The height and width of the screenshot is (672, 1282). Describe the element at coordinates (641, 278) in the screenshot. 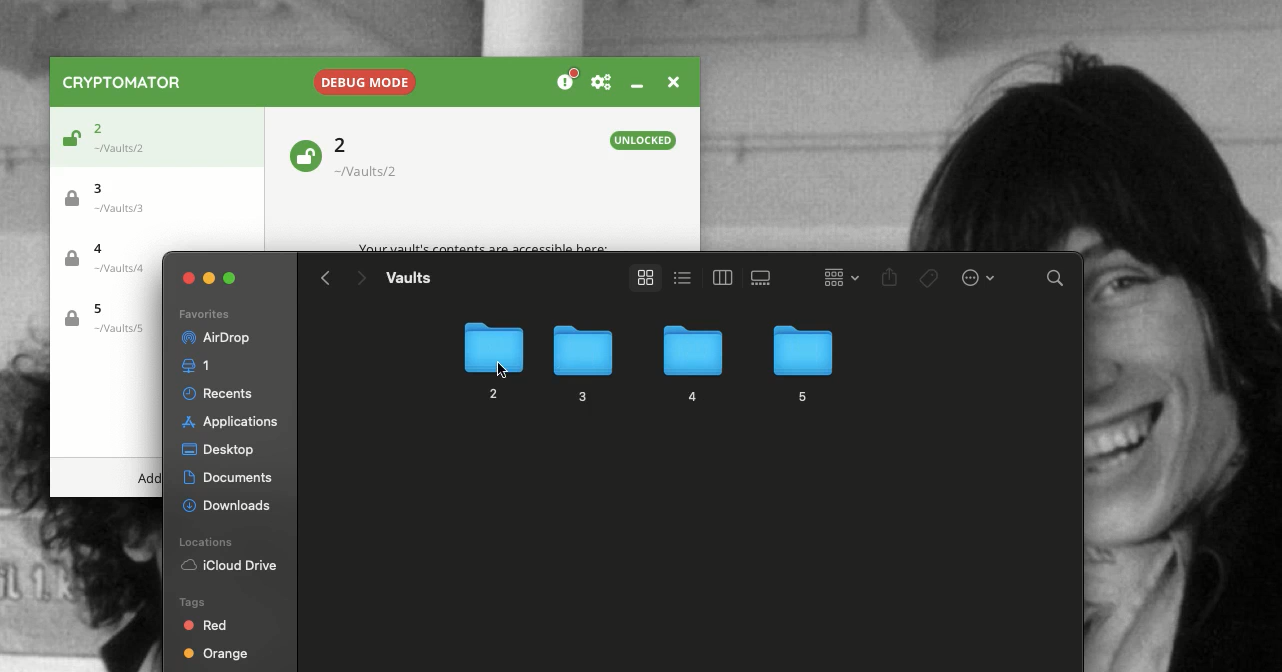

I see `View` at that location.